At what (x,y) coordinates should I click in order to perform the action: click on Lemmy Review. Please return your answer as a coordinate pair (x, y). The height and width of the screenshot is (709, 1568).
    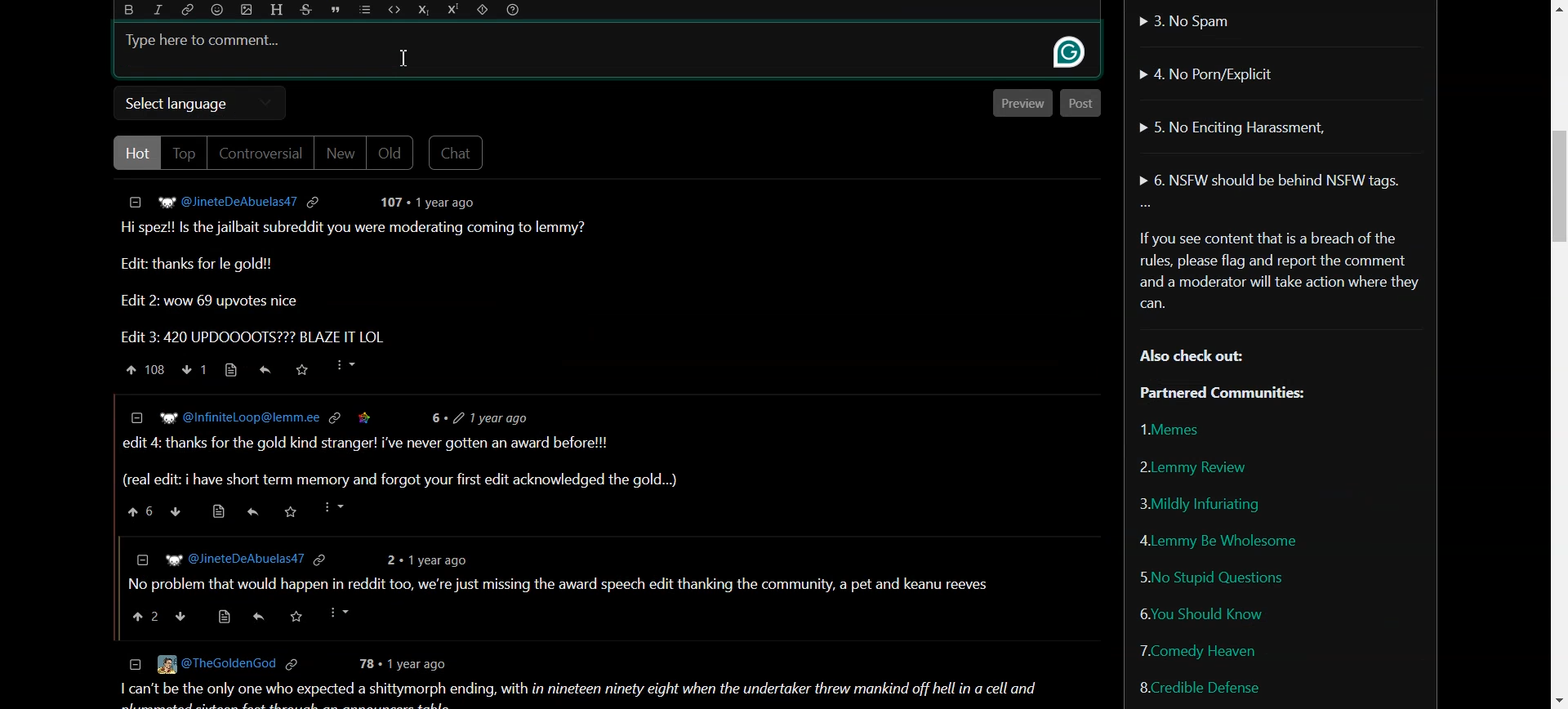
    Looking at the image, I should click on (1201, 467).